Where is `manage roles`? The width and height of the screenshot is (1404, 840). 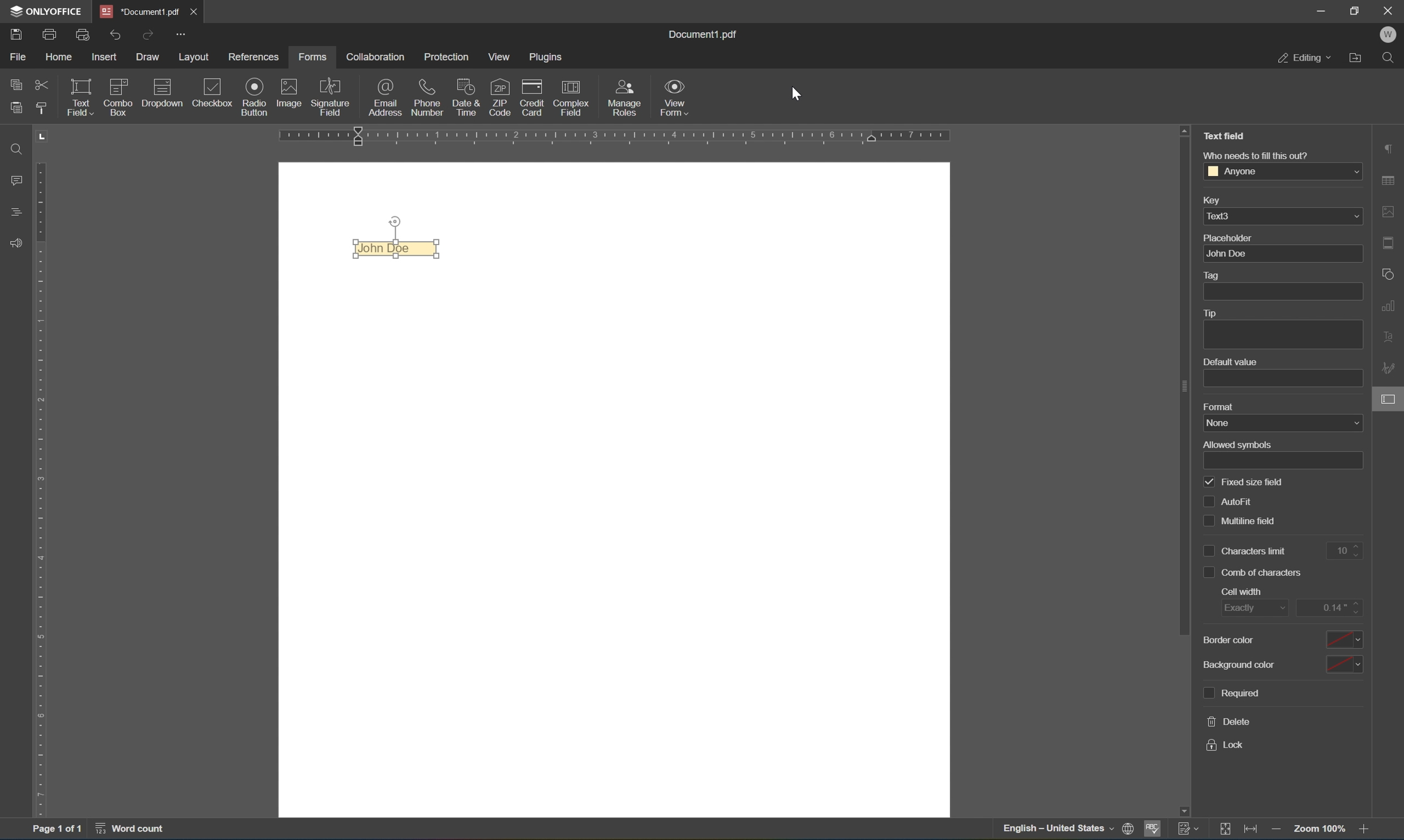 manage roles is located at coordinates (624, 100).